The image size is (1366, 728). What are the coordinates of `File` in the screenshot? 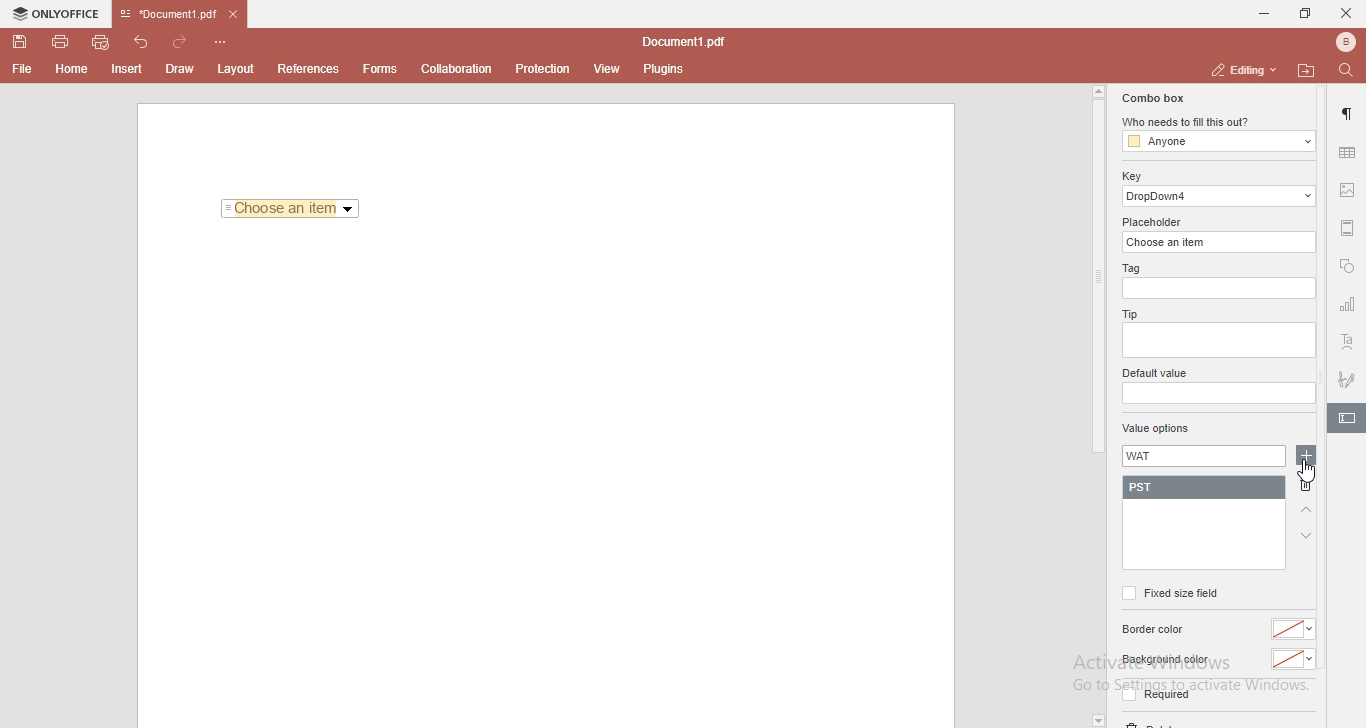 It's located at (20, 69).